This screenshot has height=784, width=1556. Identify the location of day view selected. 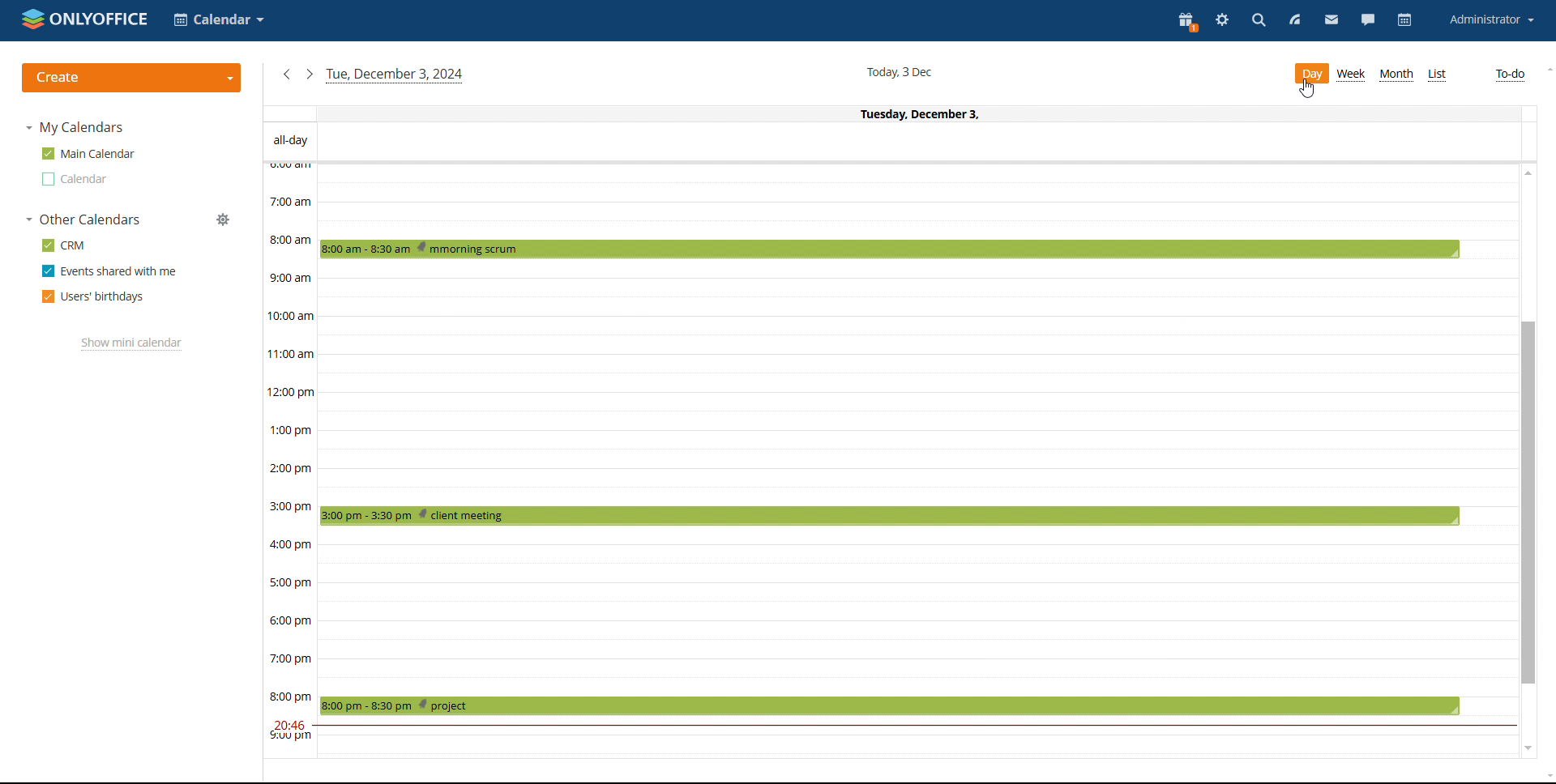
(1311, 74).